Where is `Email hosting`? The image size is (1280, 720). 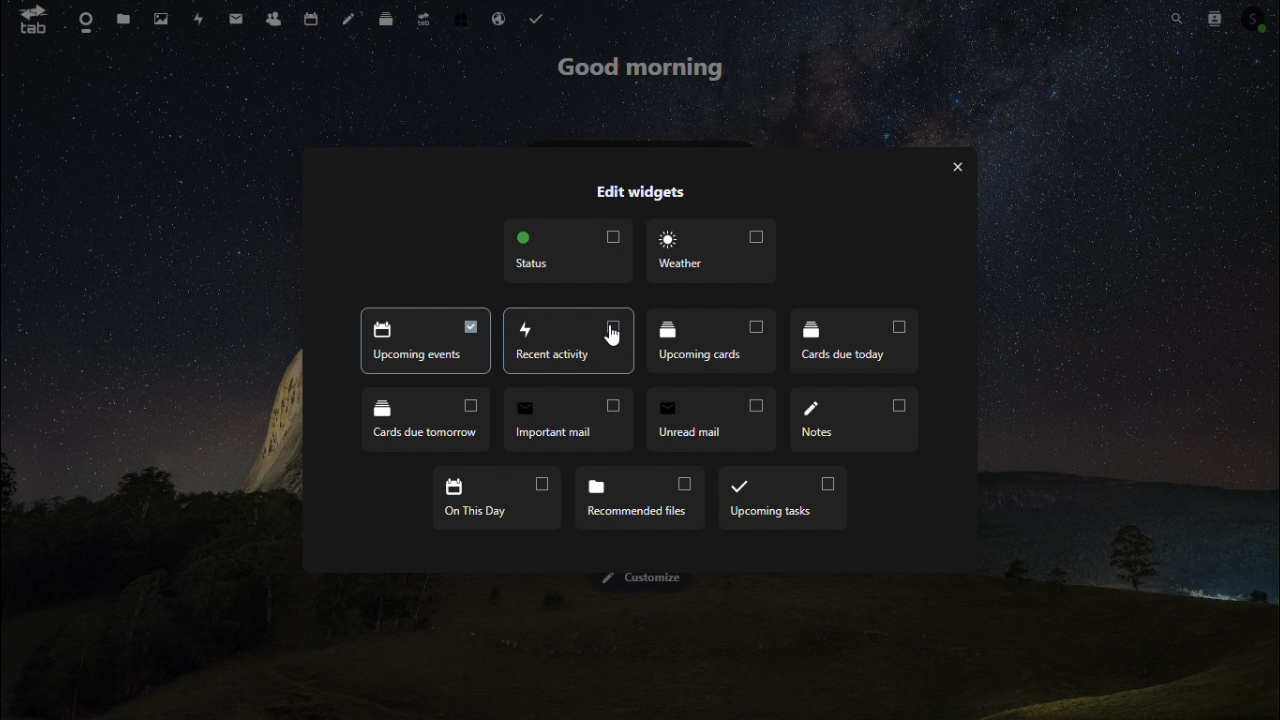
Email hosting is located at coordinates (499, 18).